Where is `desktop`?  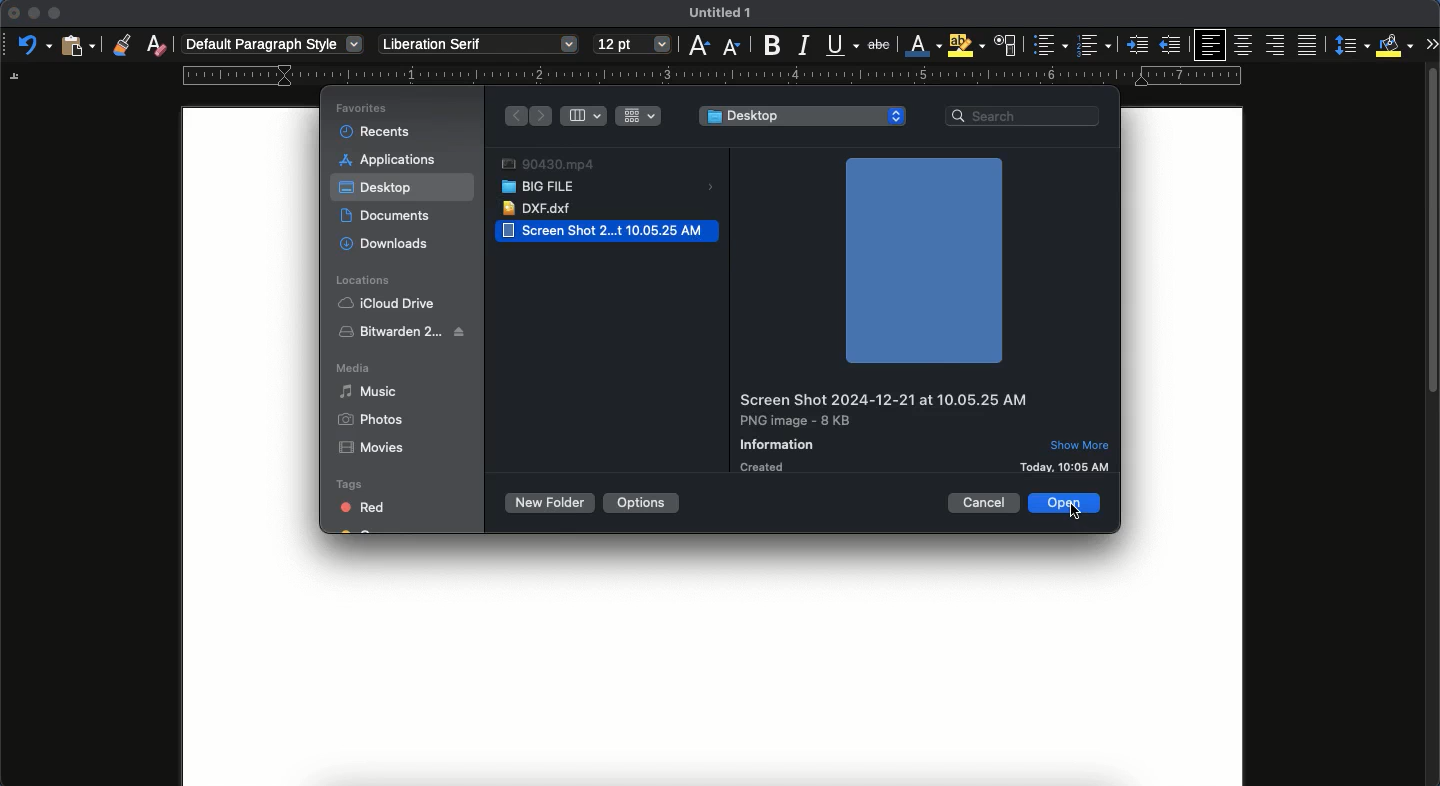
desktop is located at coordinates (377, 189).